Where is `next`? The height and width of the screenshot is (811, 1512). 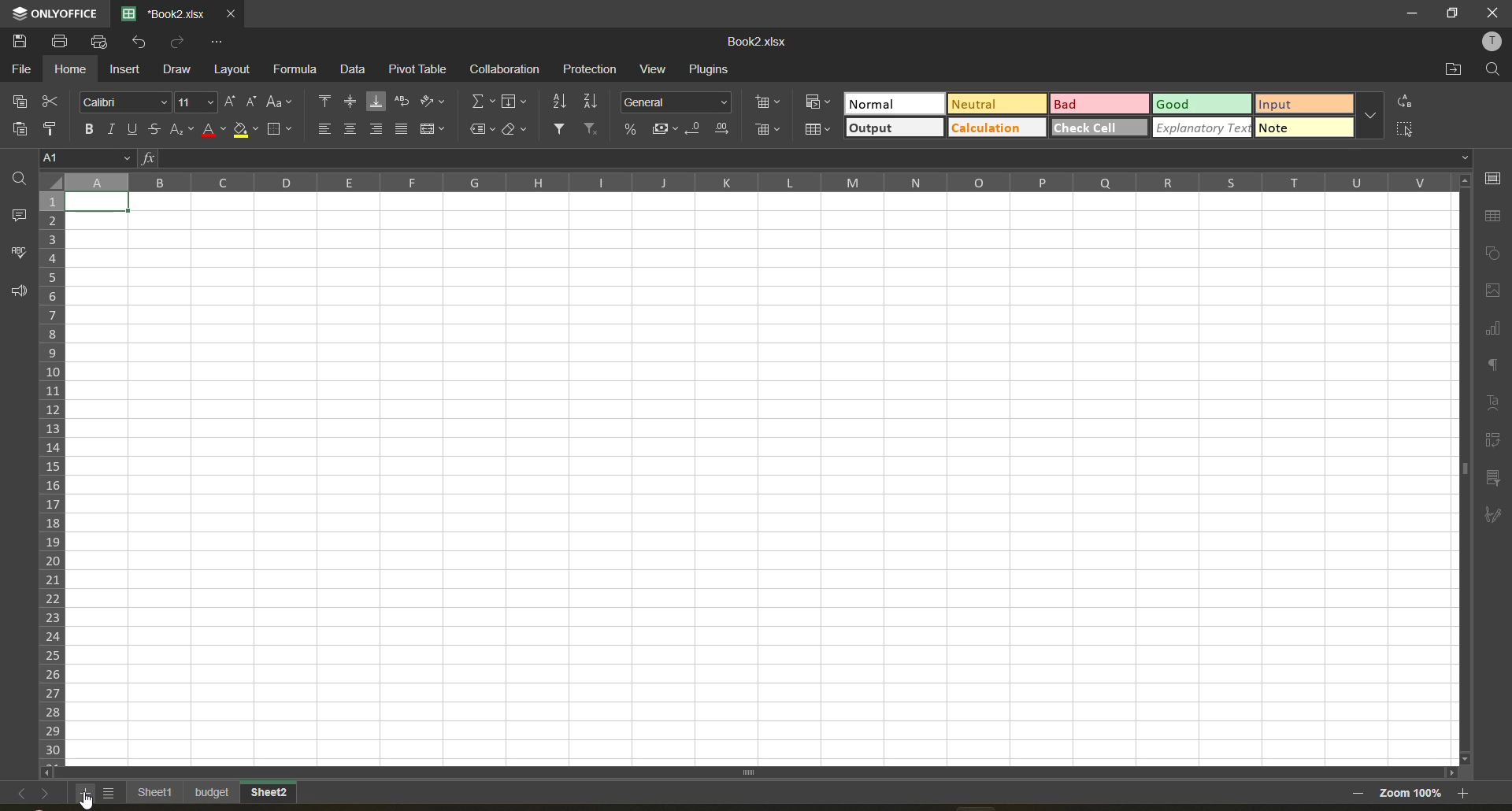
next is located at coordinates (46, 792).